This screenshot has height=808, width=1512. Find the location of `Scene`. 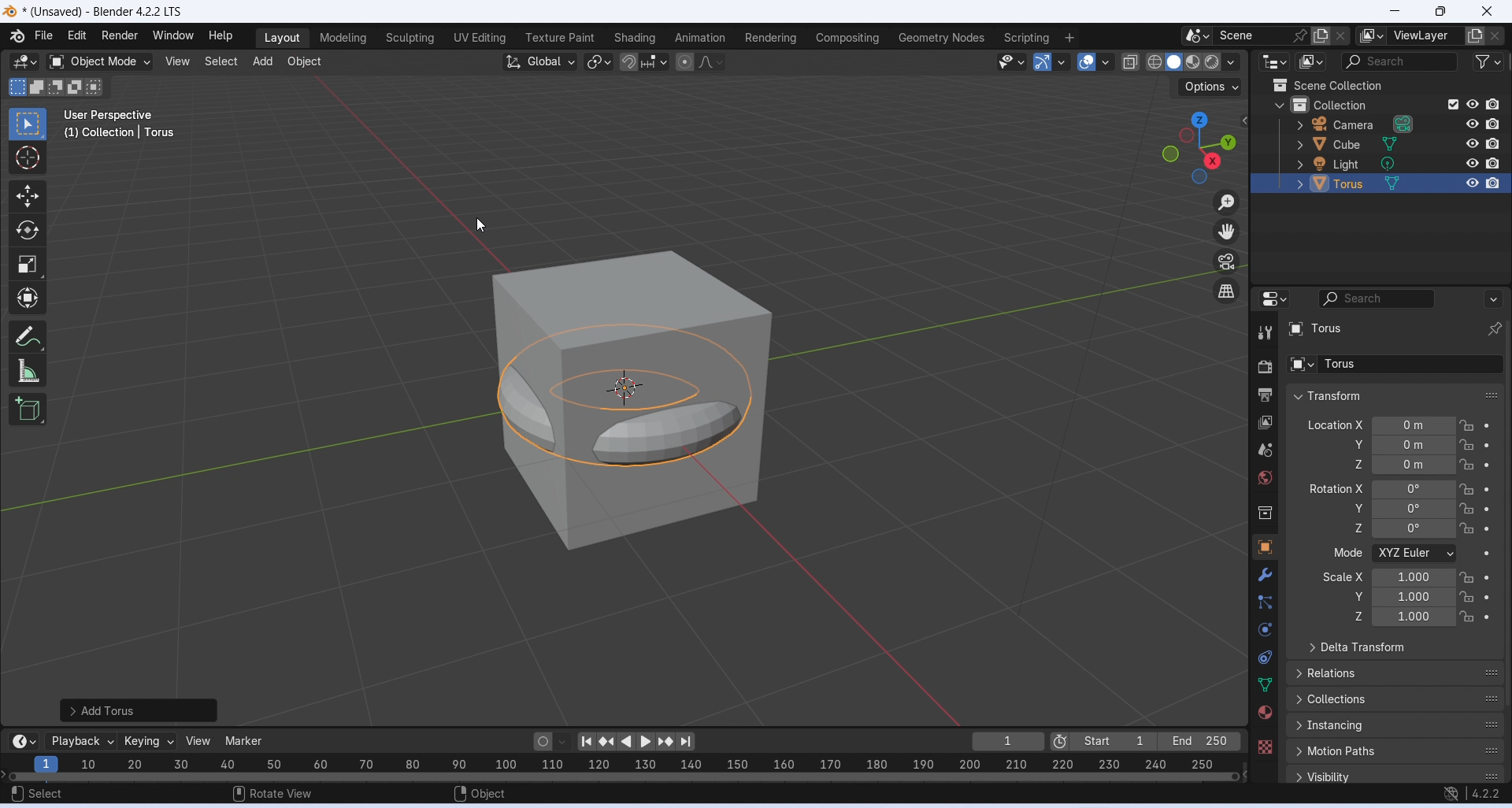

Scene is located at coordinates (1248, 35).